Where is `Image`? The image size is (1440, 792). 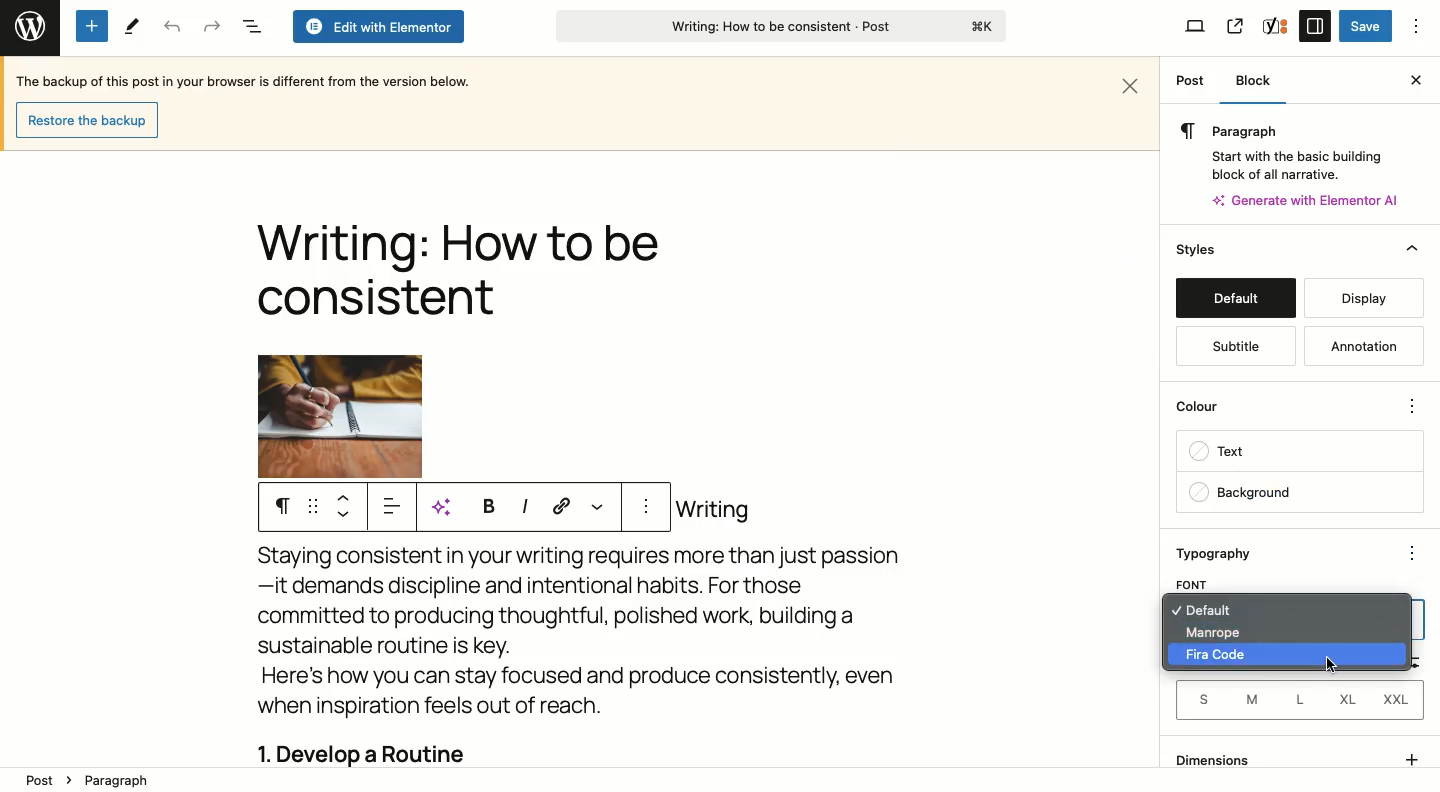 Image is located at coordinates (340, 416).